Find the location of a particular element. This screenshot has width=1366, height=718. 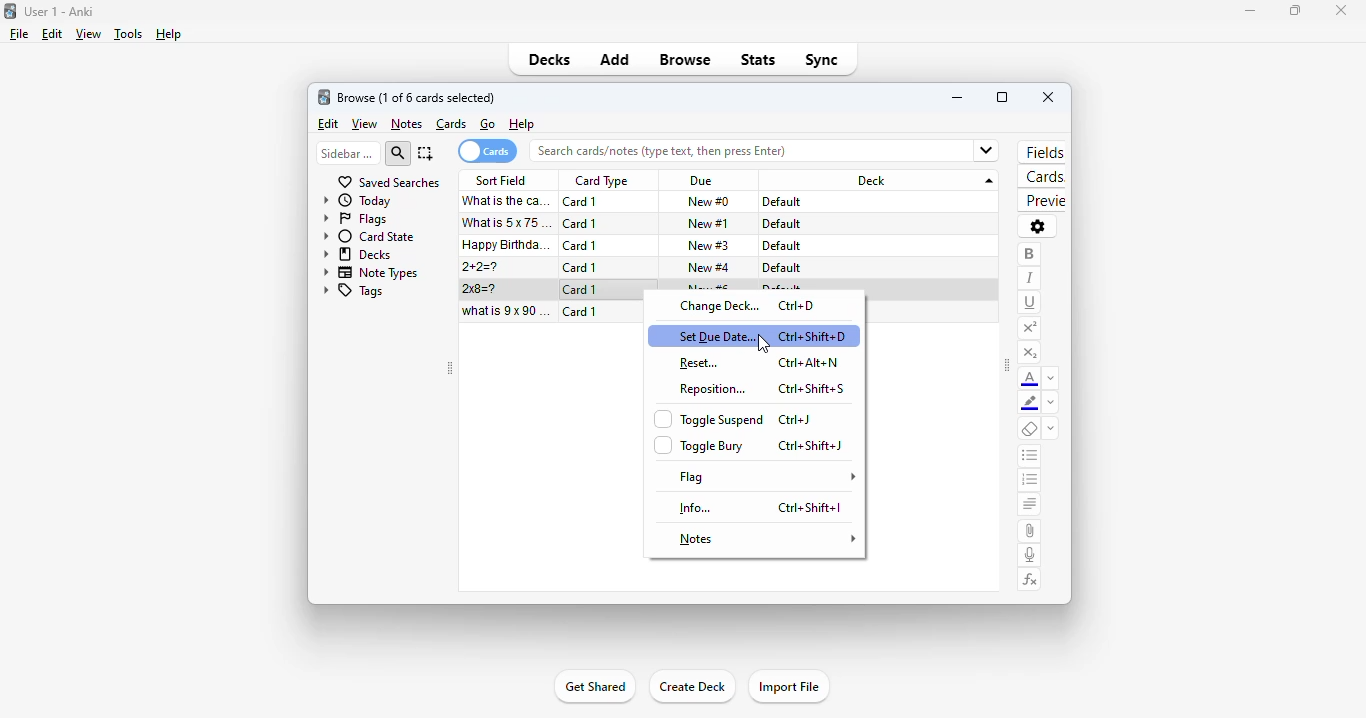

card 1 is located at coordinates (581, 245).